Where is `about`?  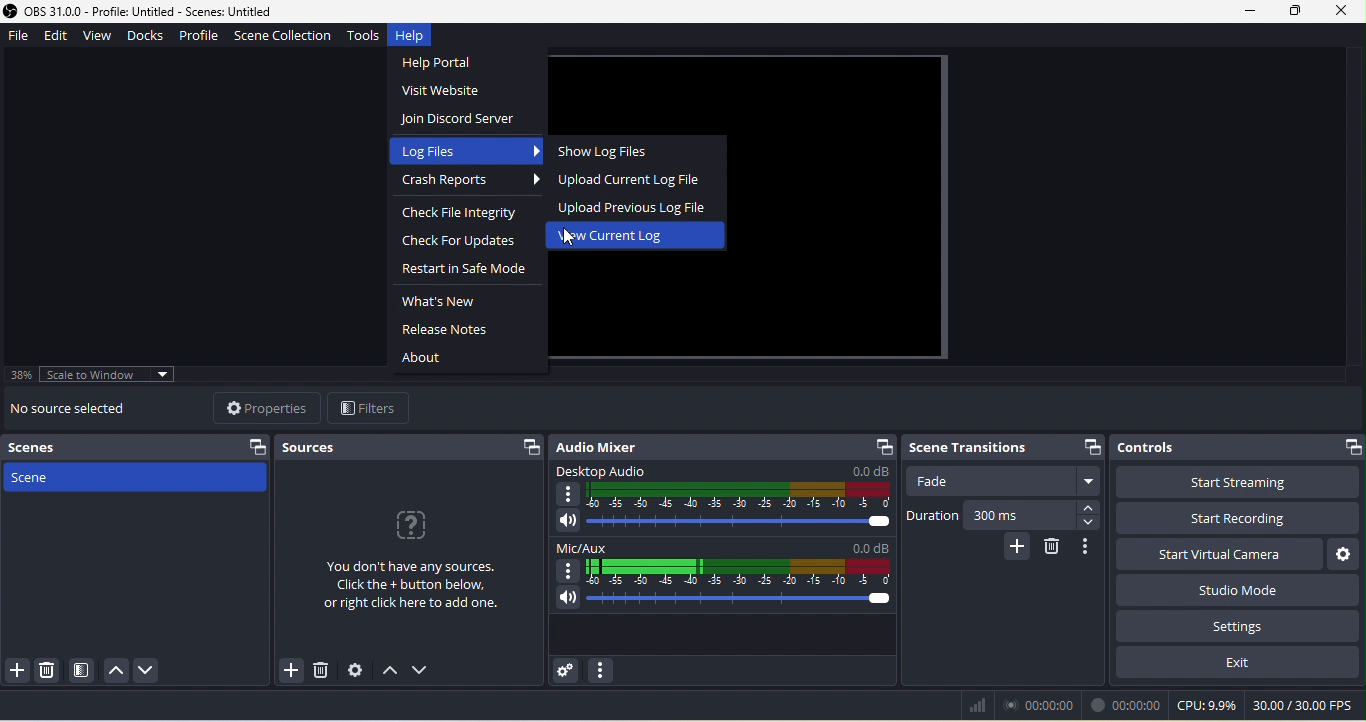
about is located at coordinates (429, 356).